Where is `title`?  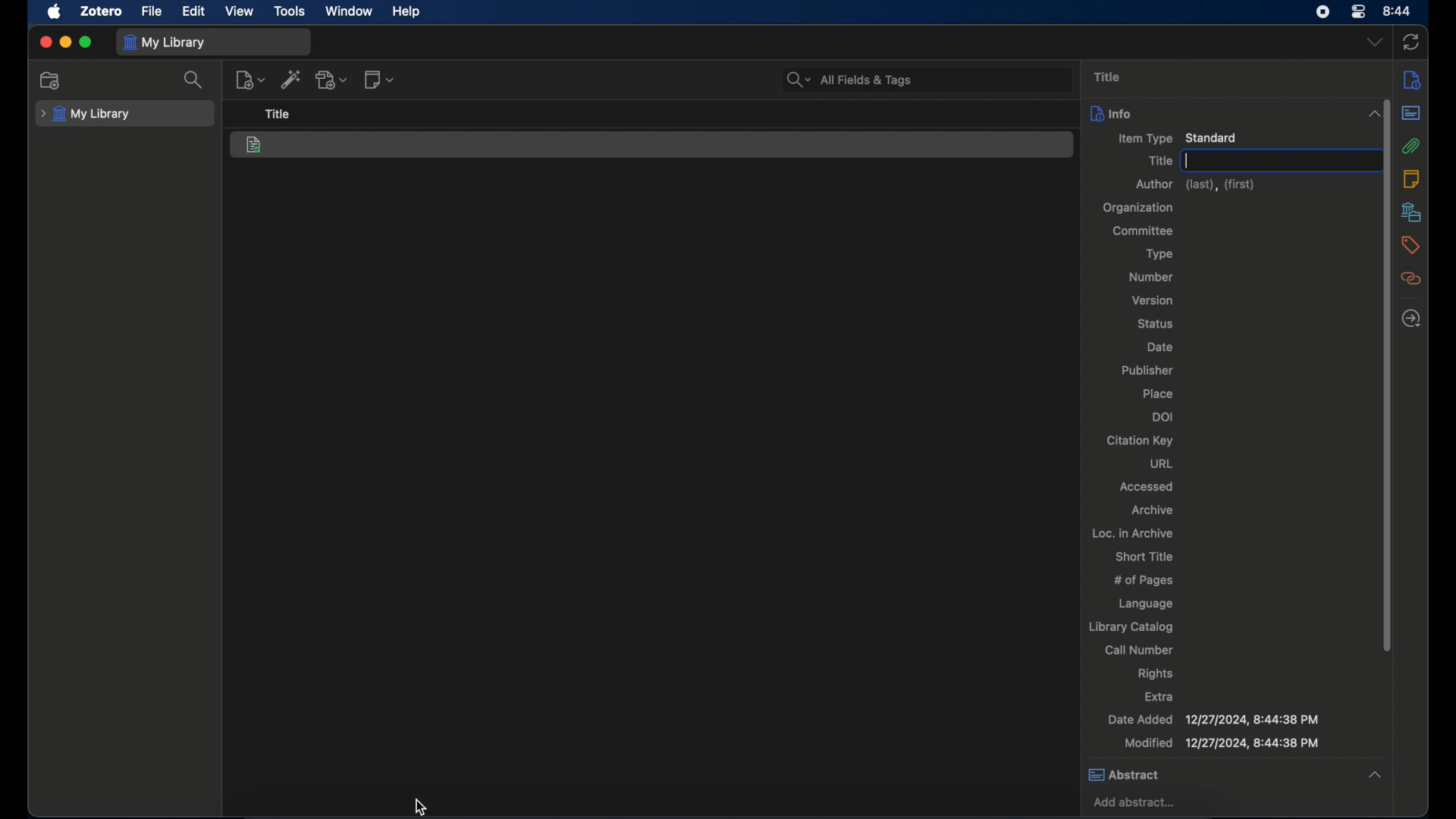
title is located at coordinates (1159, 160).